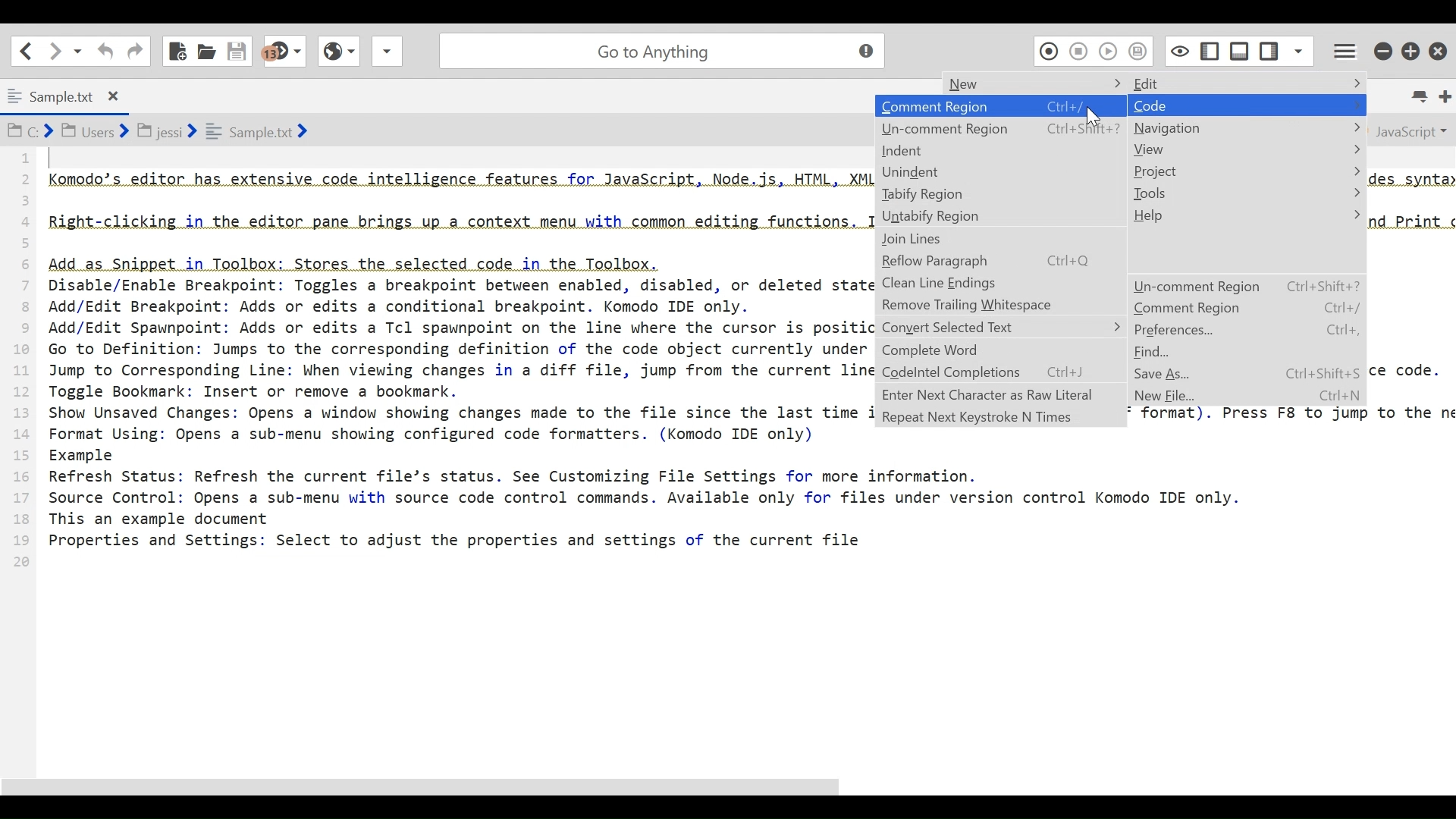  Describe the element at coordinates (1000, 217) in the screenshot. I see `Untabify Region` at that location.